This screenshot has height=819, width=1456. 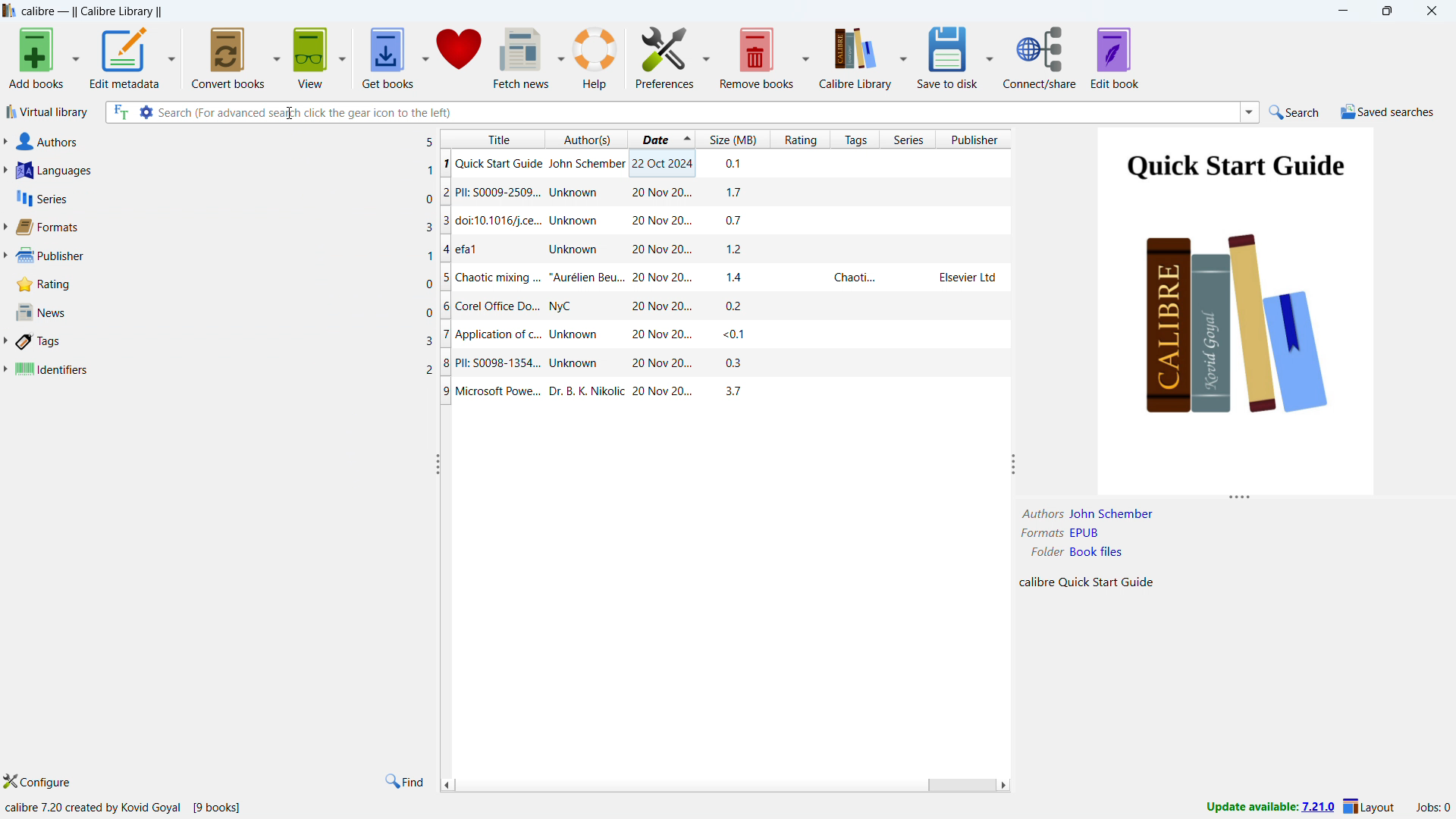 What do you see at coordinates (1432, 10) in the screenshot?
I see `close` at bounding box center [1432, 10].